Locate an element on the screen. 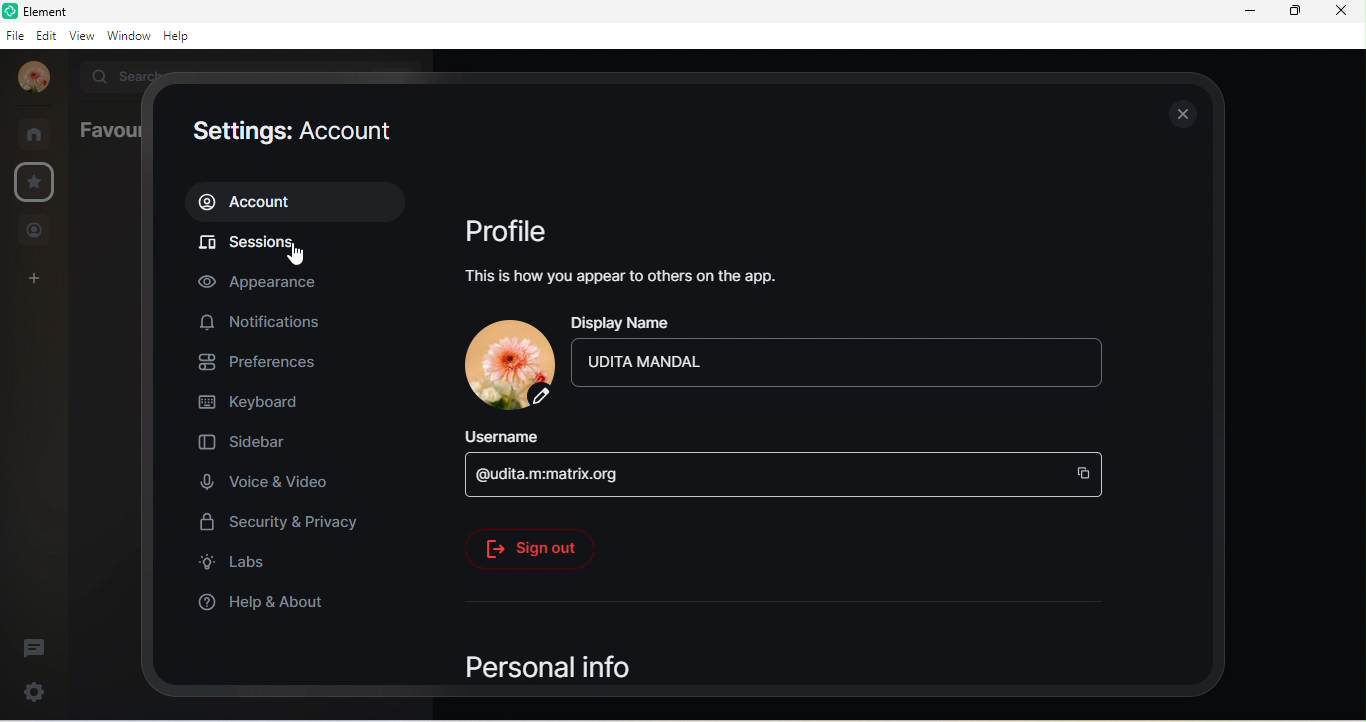 The image size is (1366, 722). element b room is located at coordinates (76, 11).